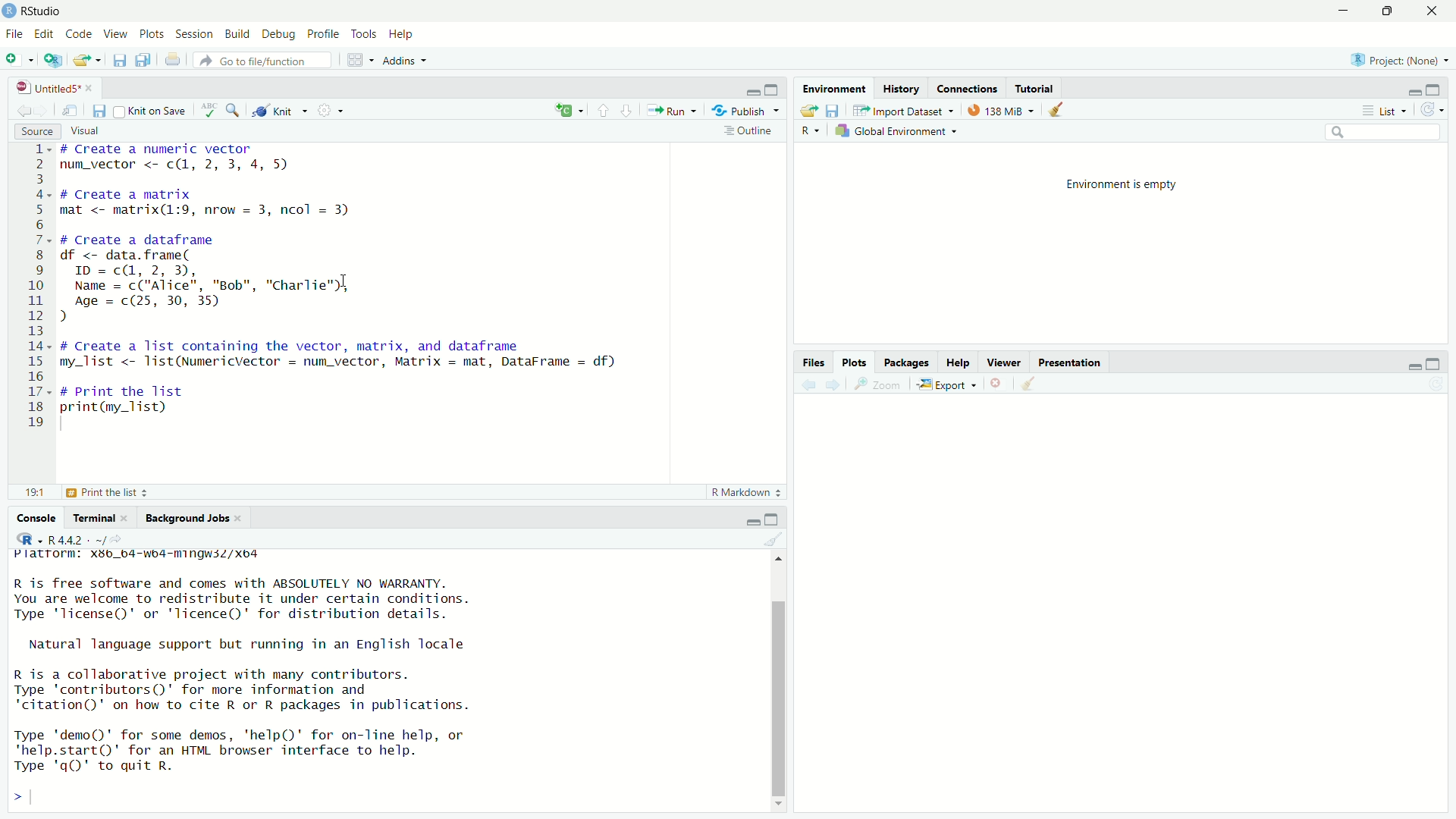 The height and width of the screenshot is (819, 1456). Describe the element at coordinates (118, 63) in the screenshot. I see `save` at that location.